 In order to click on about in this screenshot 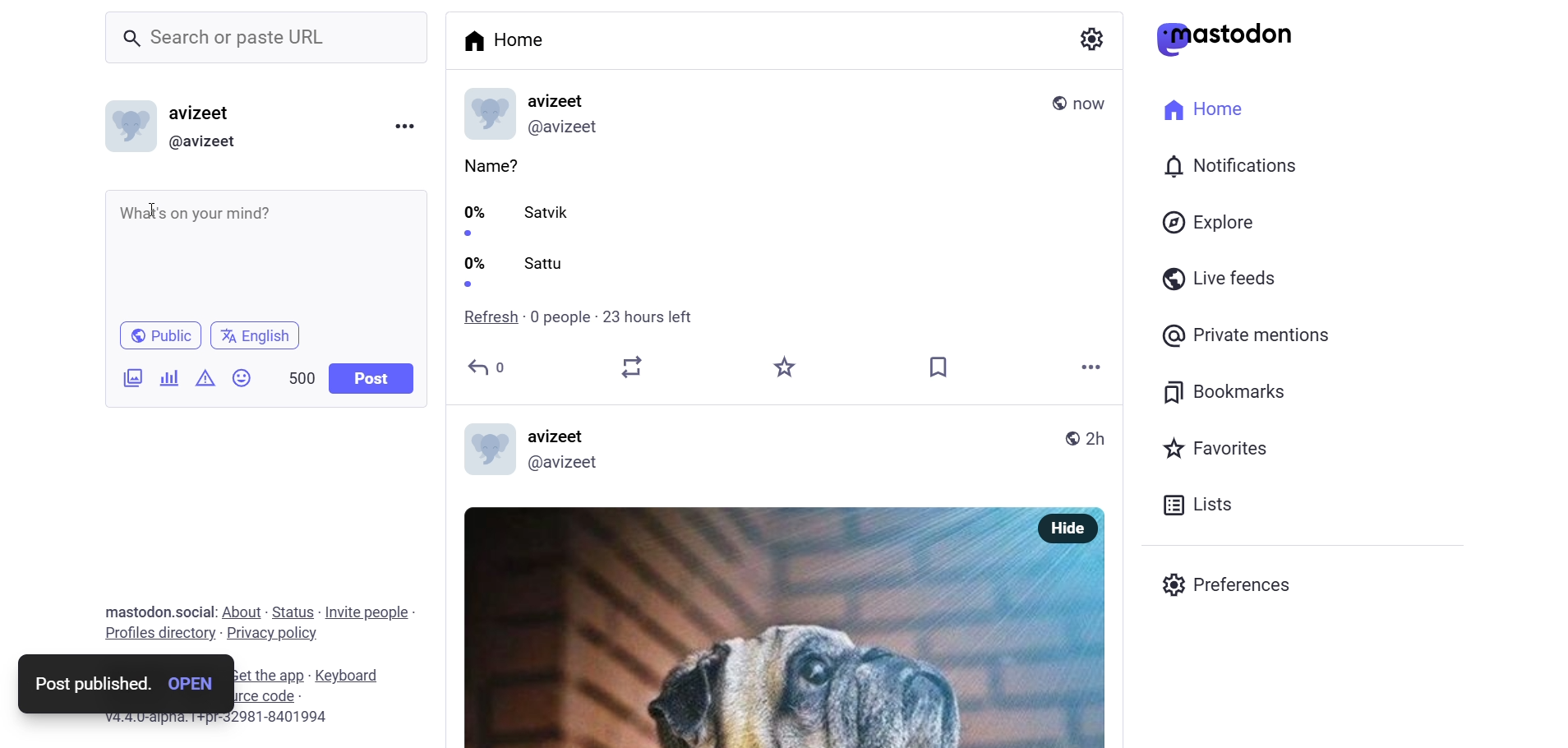, I will do `click(240, 612)`.